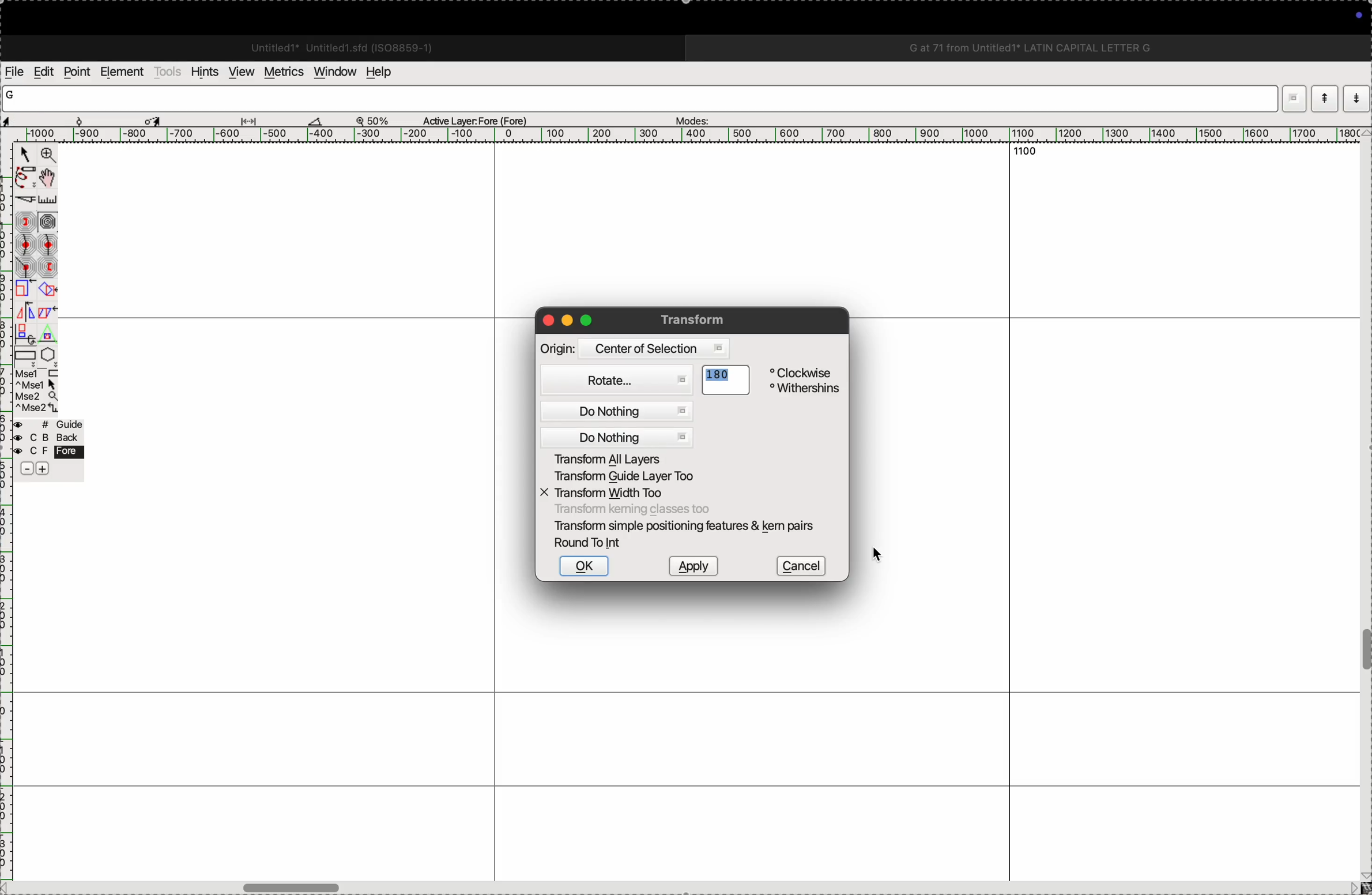 Image resolution: width=1372 pixels, height=895 pixels. Describe the element at coordinates (169, 74) in the screenshot. I see `tools` at that location.